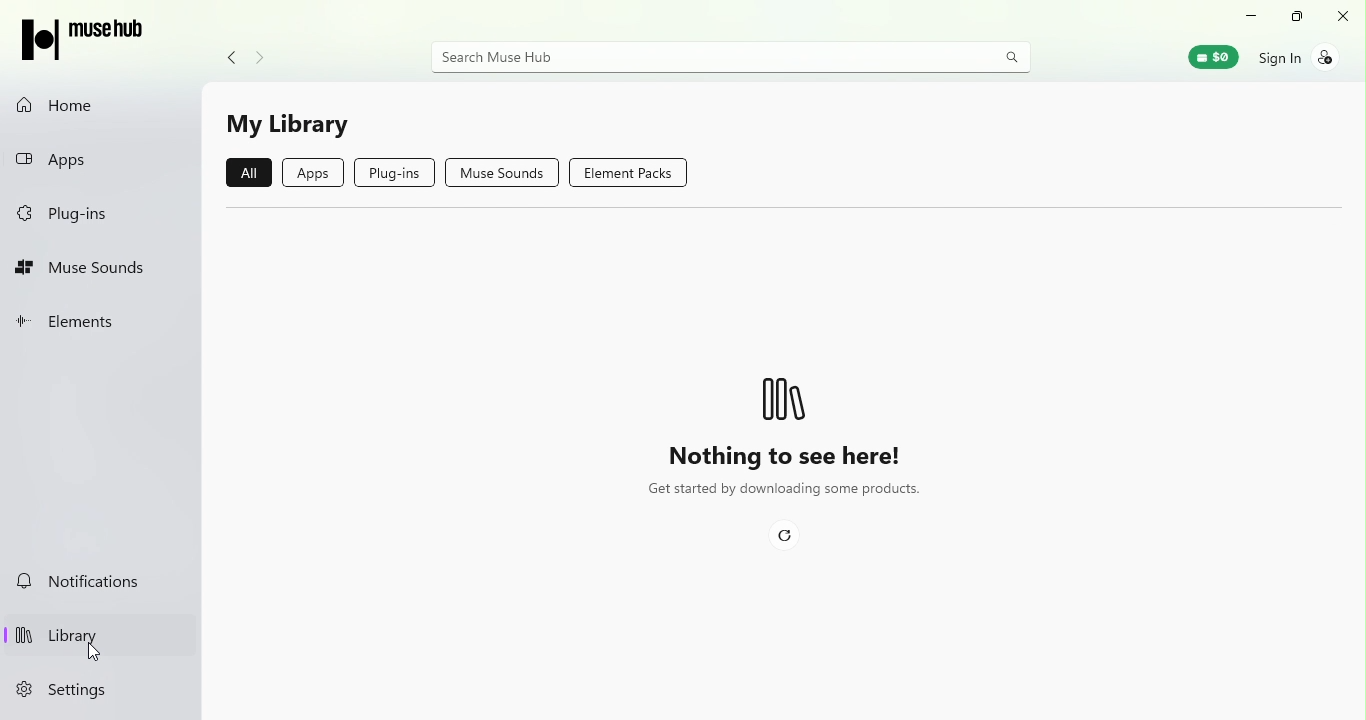 The height and width of the screenshot is (720, 1366). Describe the element at coordinates (782, 394) in the screenshot. I see `library logo` at that location.